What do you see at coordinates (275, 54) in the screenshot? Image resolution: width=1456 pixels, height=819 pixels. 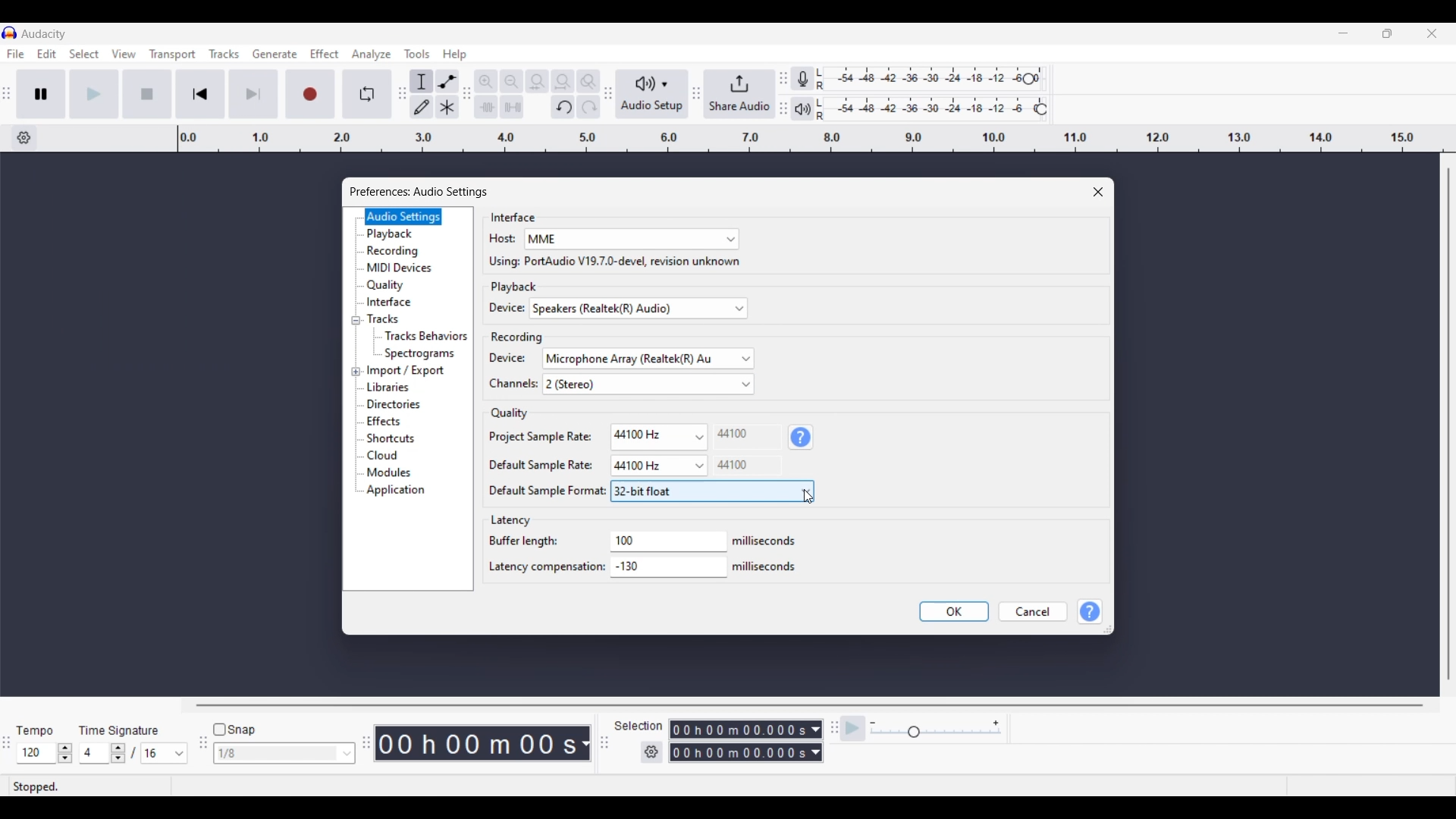 I see `Generate menu` at bounding box center [275, 54].